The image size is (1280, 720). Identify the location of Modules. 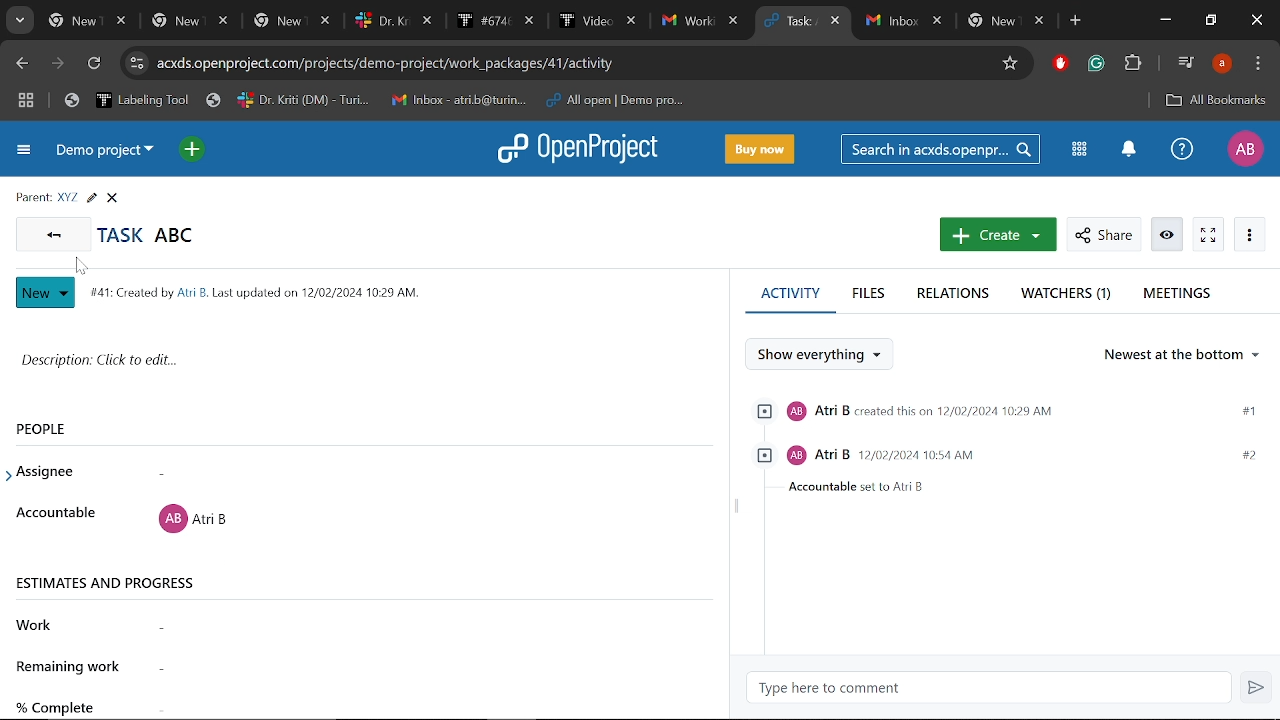
(1081, 151).